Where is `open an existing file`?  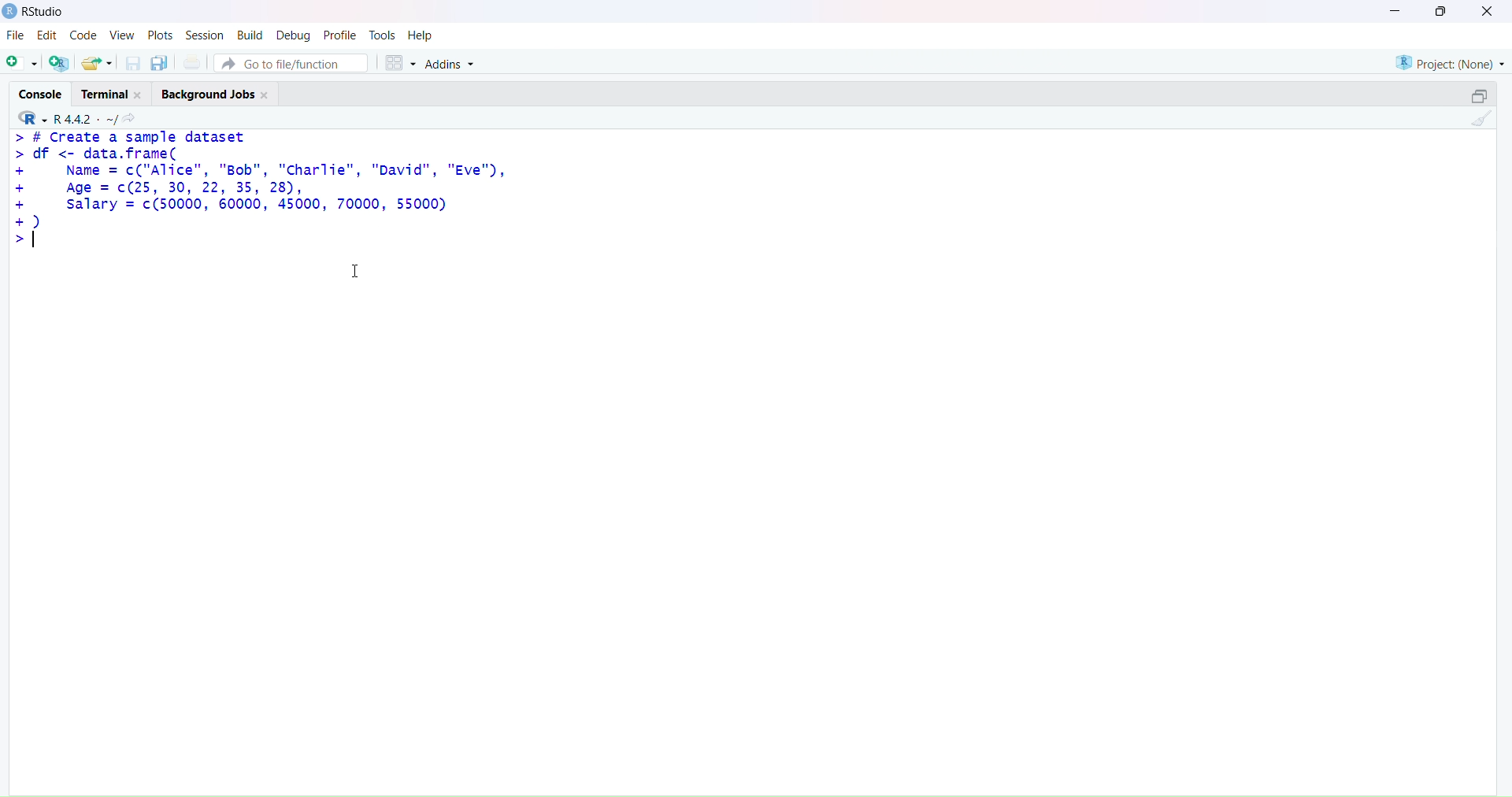
open an existing file is located at coordinates (98, 65).